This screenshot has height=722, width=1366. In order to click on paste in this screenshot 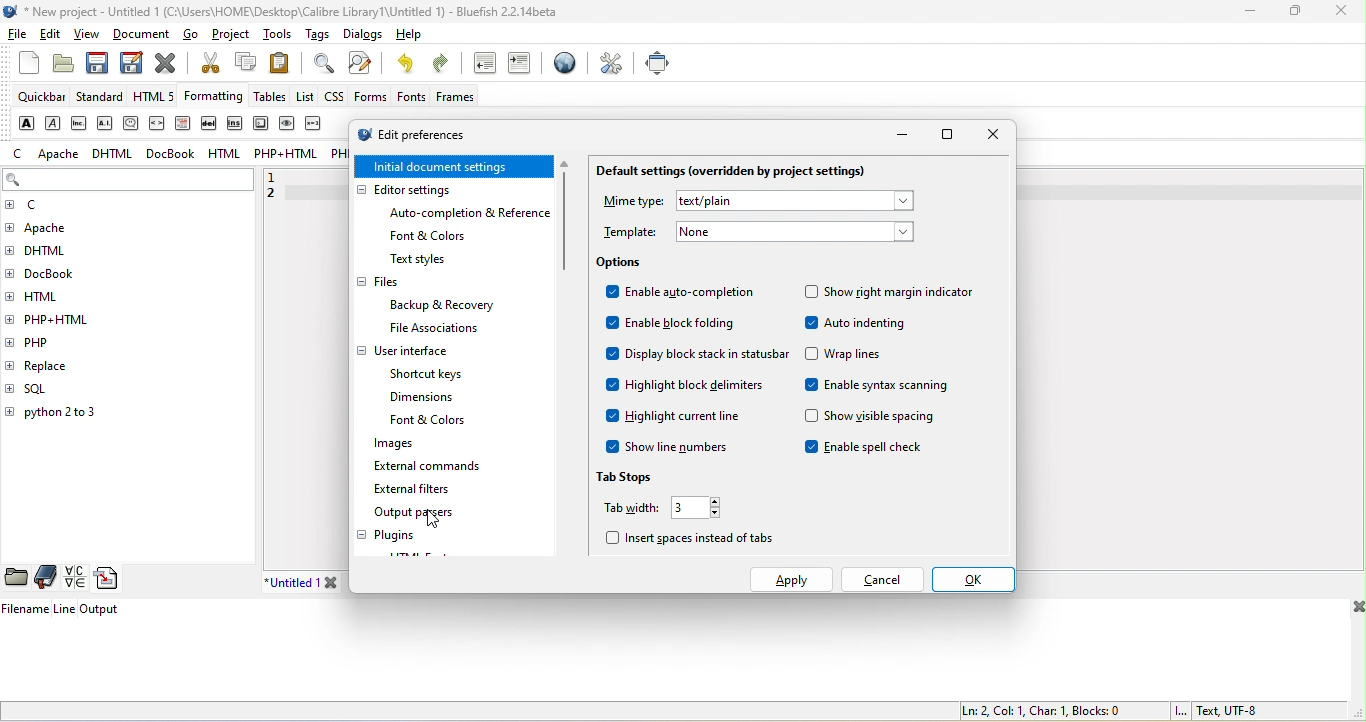, I will do `click(286, 62)`.